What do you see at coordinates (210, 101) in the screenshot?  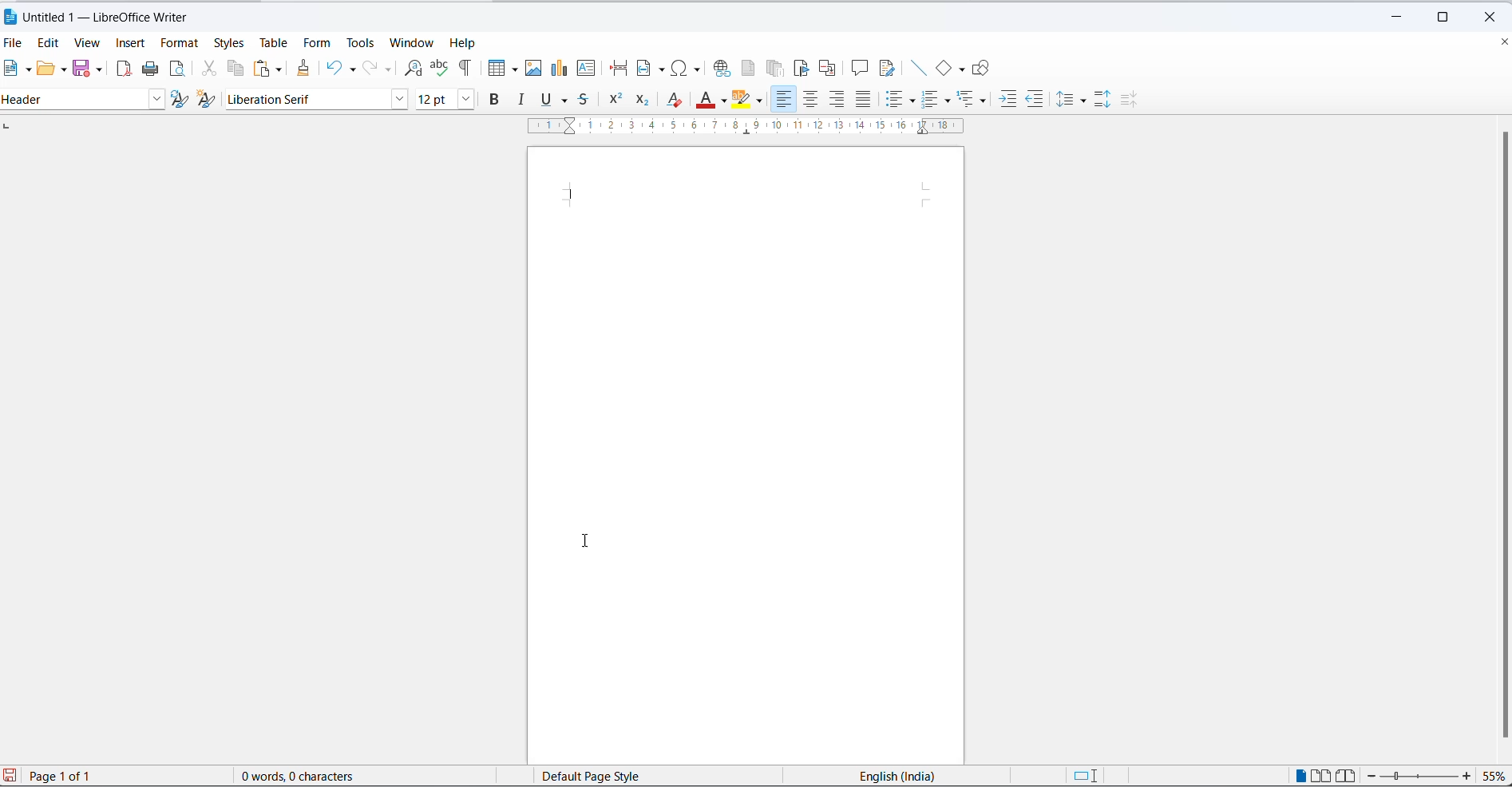 I see `create new style from selection` at bounding box center [210, 101].